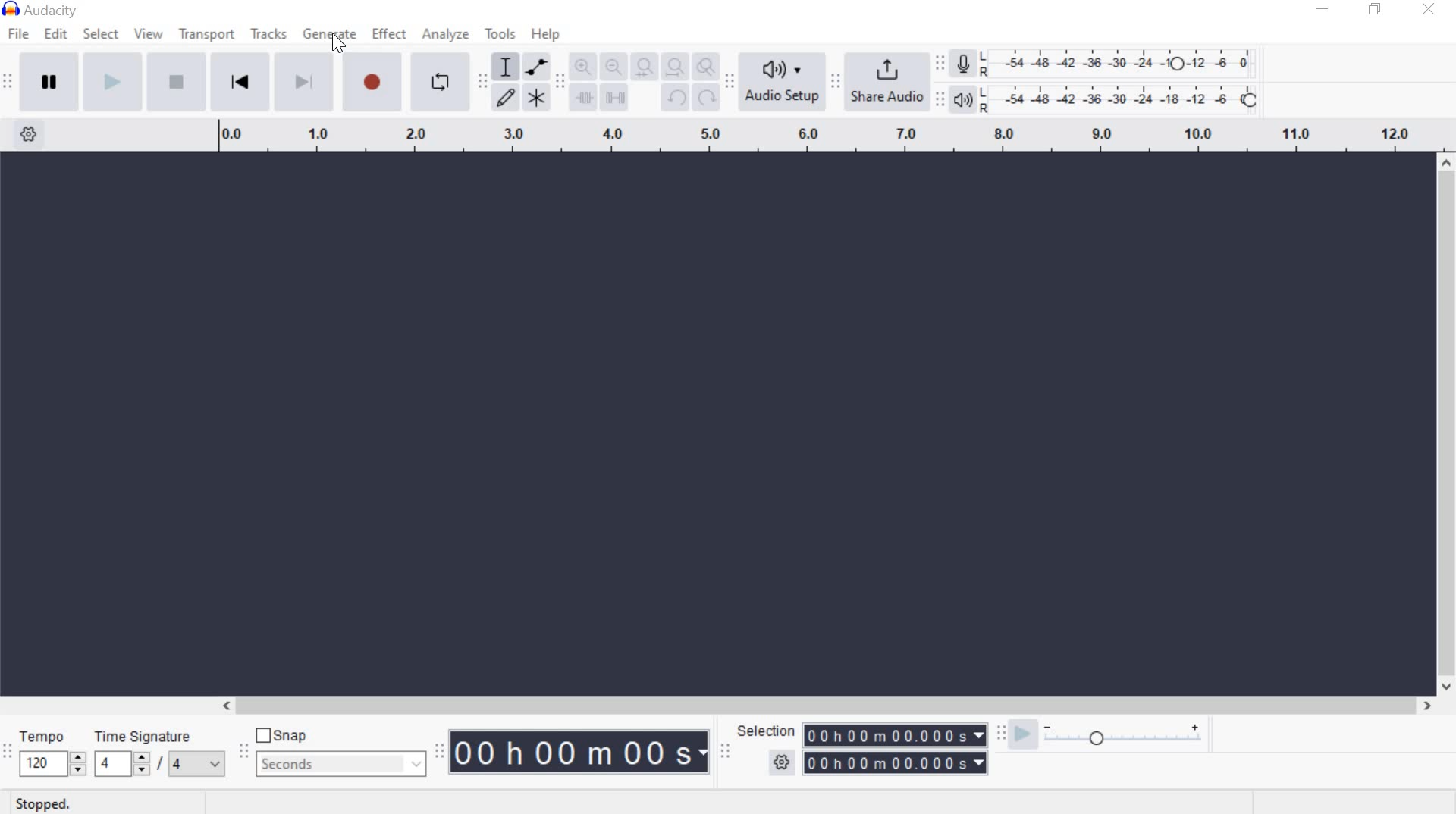 This screenshot has height=814, width=1456. I want to click on edit, so click(58, 33).